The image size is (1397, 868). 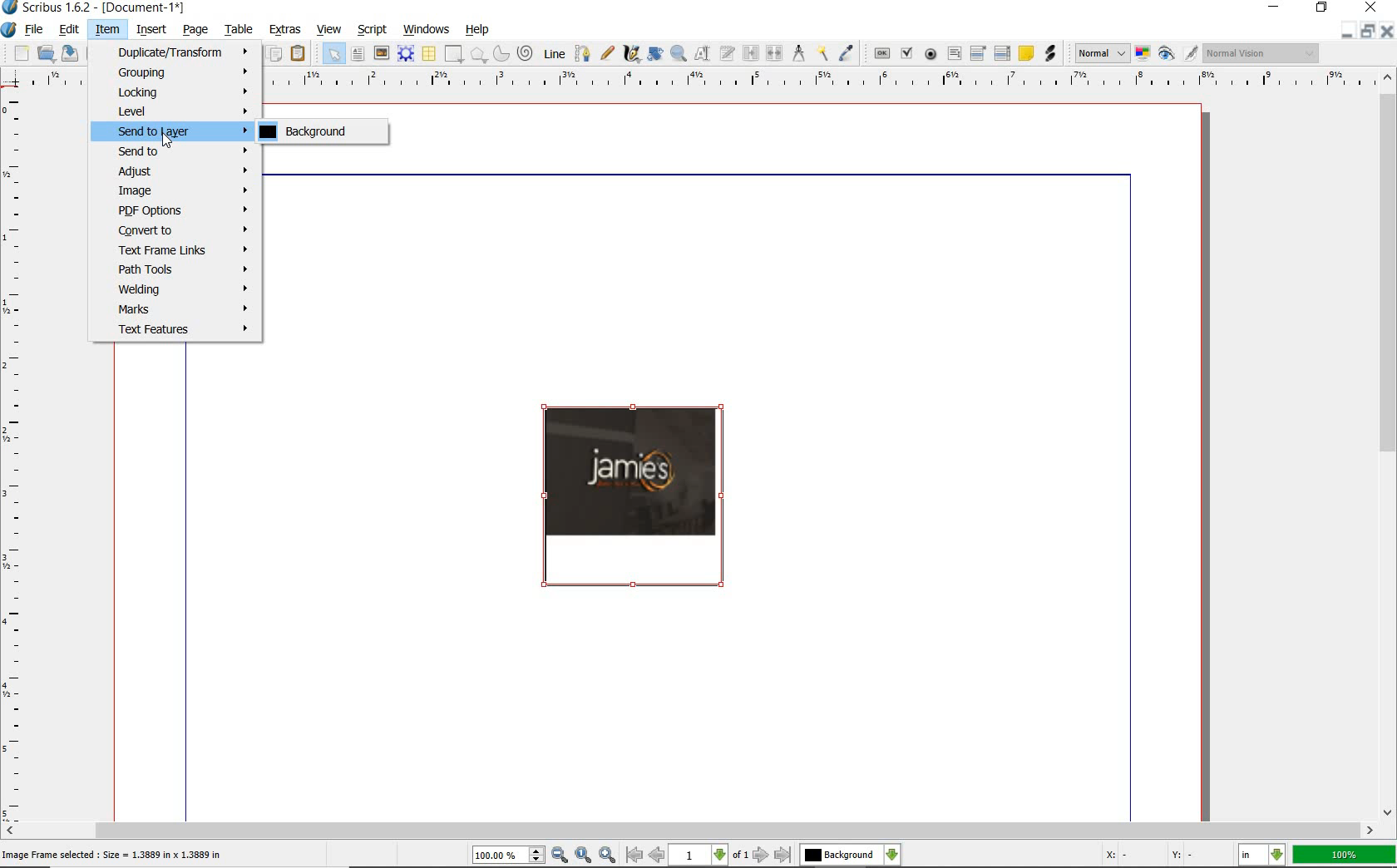 What do you see at coordinates (479, 54) in the screenshot?
I see `polygon` at bounding box center [479, 54].